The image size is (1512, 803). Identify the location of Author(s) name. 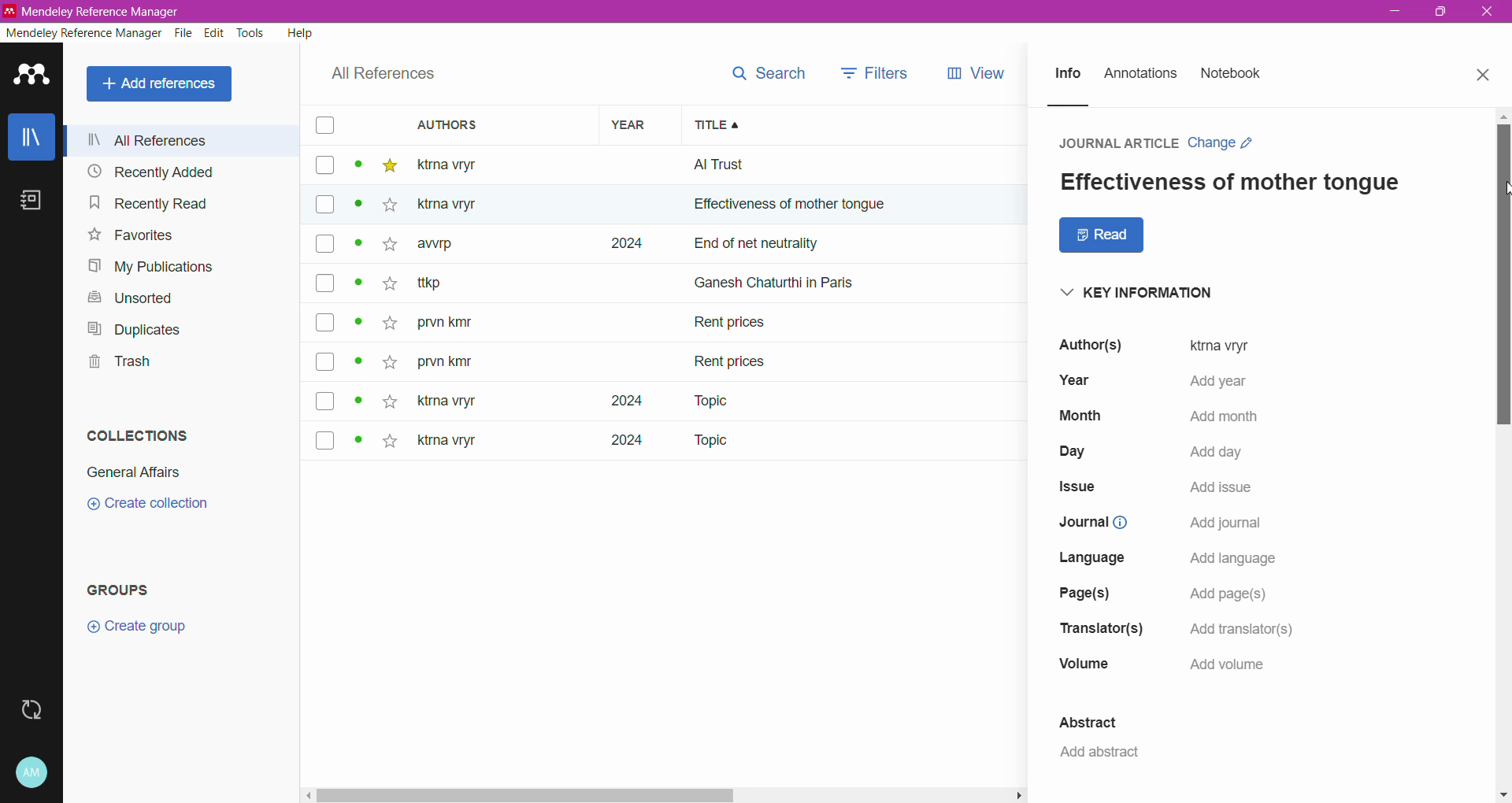
(1085, 346).